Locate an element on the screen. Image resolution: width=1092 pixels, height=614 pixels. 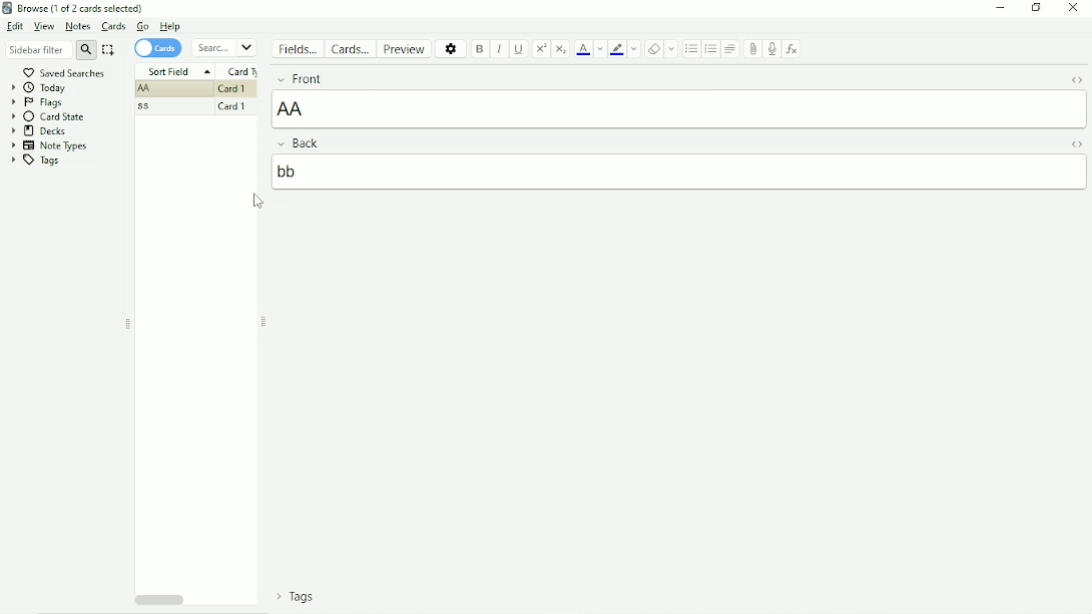
Toggle HTML Editor is located at coordinates (1078, 80).